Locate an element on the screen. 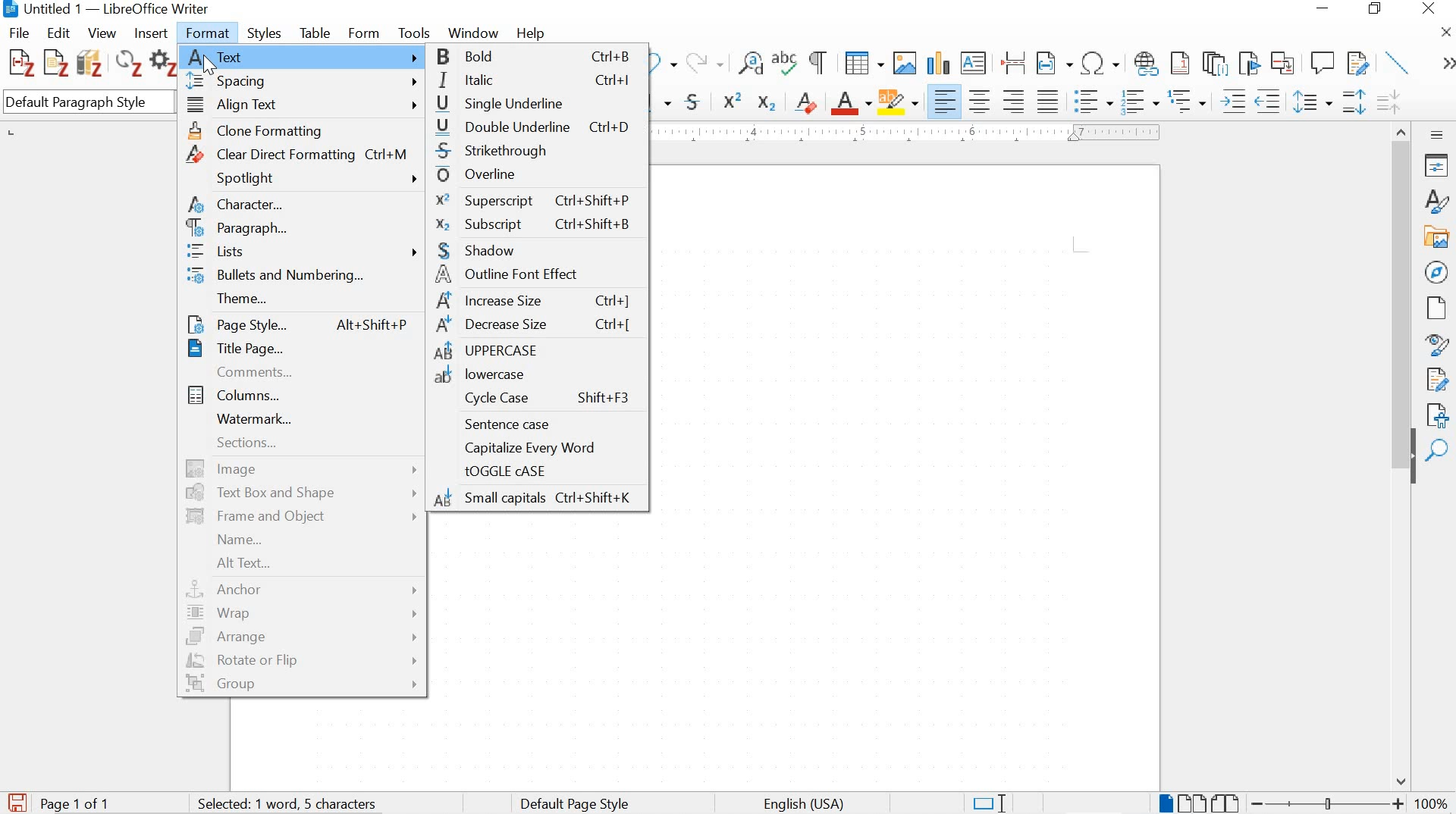  title page is located at coordinates (296, 349).